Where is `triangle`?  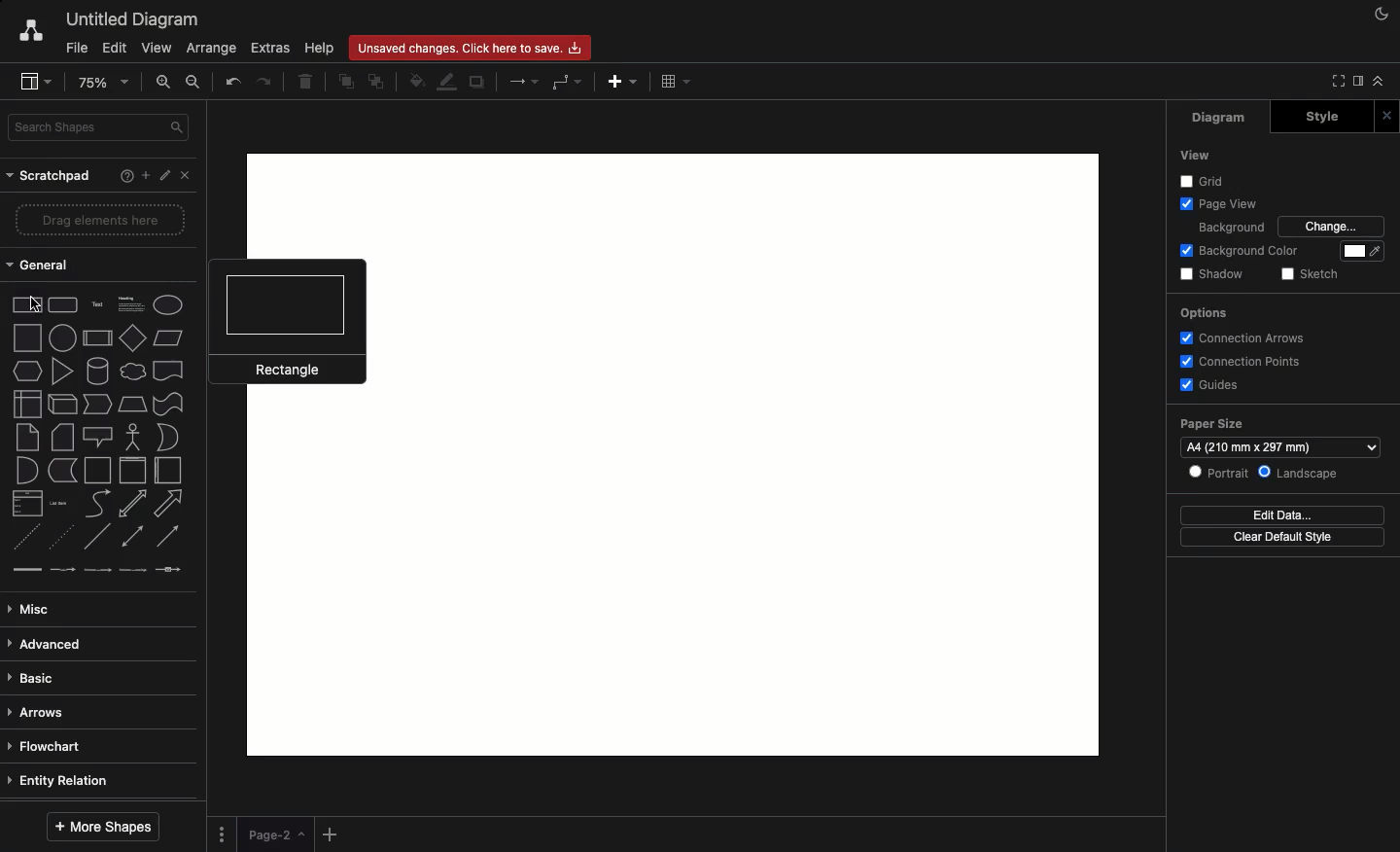
triangle is located at coordinates (61, 370).